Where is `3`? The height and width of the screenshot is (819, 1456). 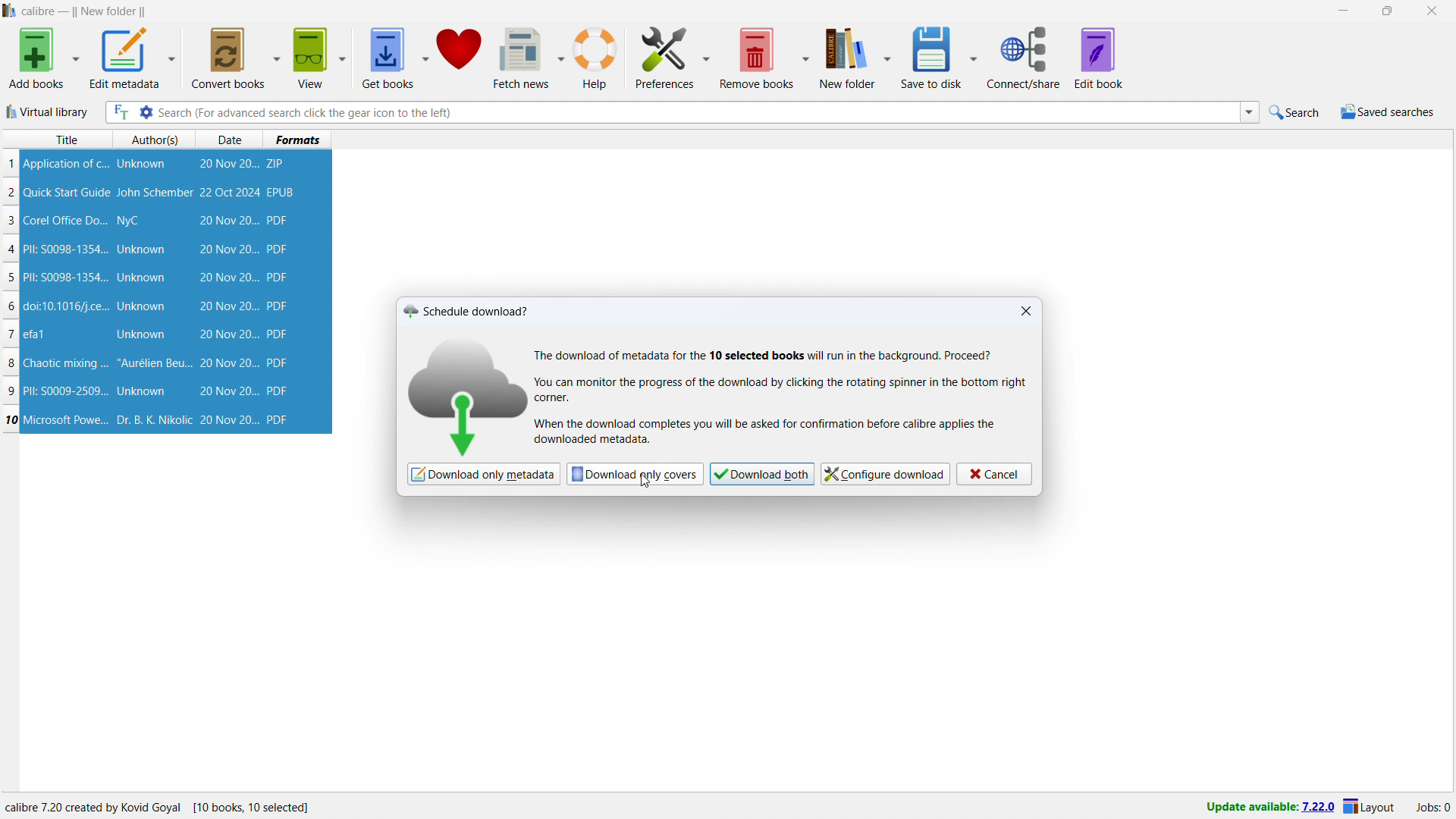
3 is located at coordinates (11, 221).